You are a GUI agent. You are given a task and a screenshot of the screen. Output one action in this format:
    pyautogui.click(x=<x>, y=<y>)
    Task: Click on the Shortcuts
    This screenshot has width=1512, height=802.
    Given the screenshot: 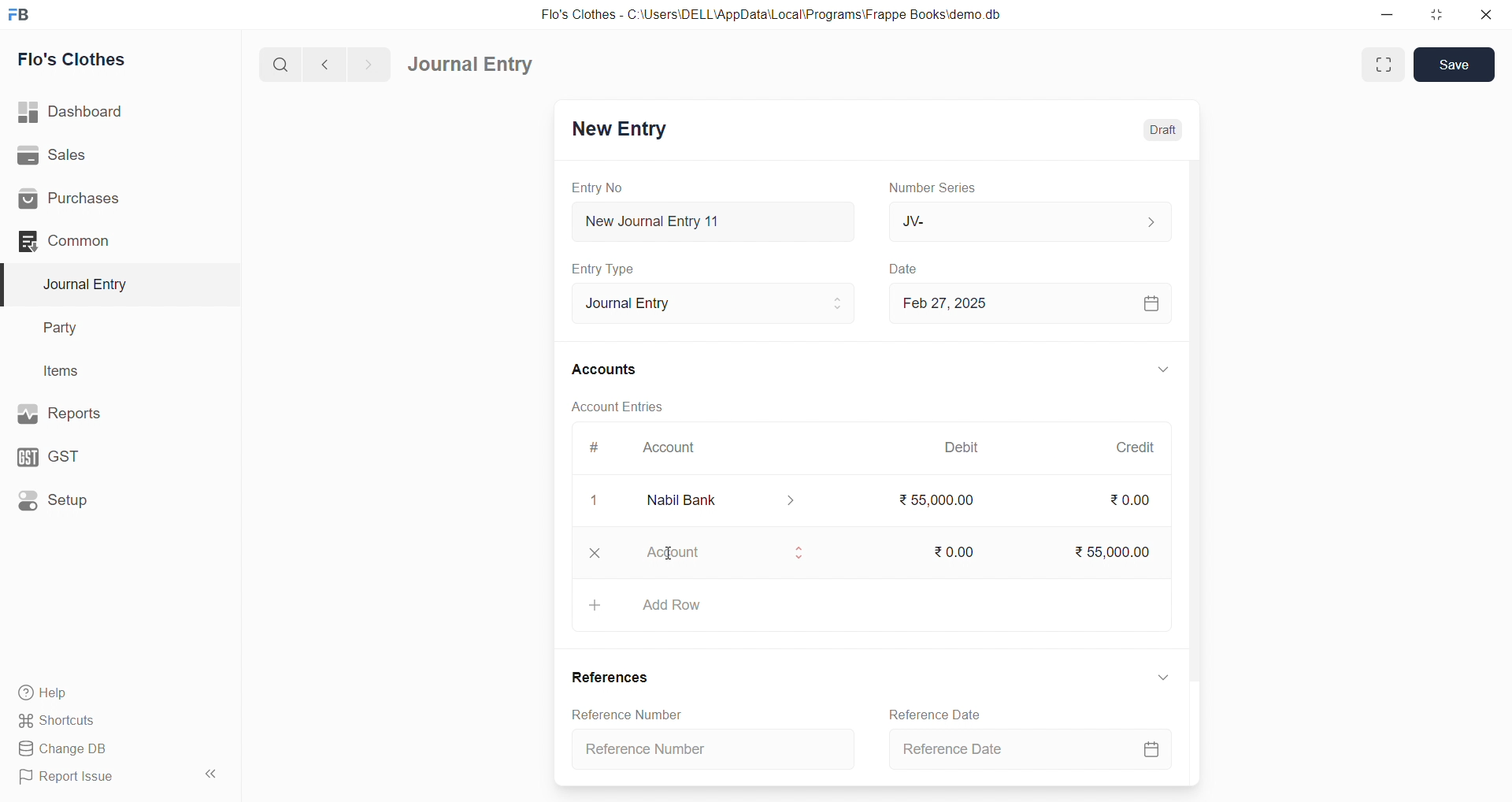 What is the action you would take?
    pyautogui.click(x=95, y=722)
    